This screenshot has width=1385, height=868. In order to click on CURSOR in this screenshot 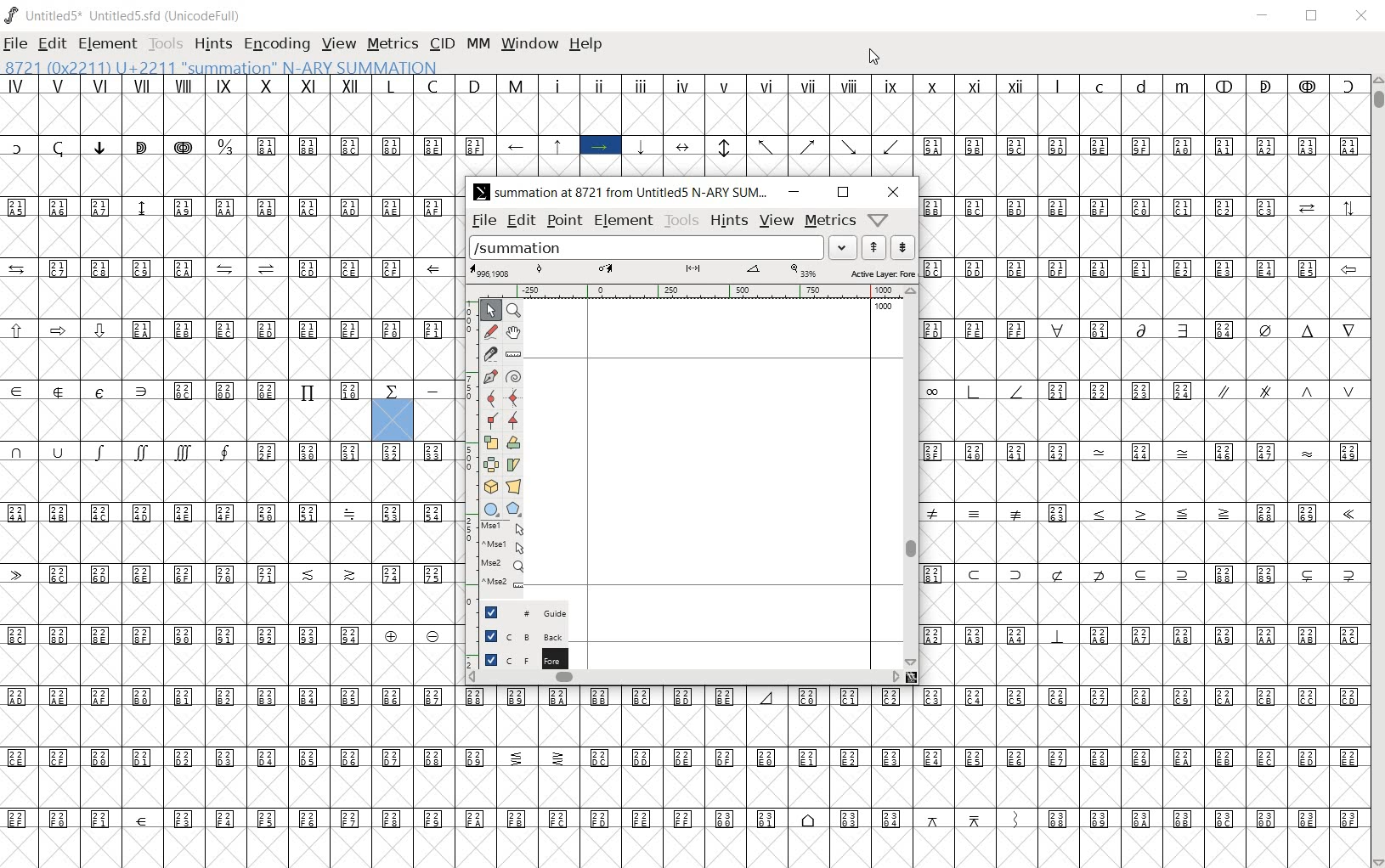, I will do `click(875, 57)`.